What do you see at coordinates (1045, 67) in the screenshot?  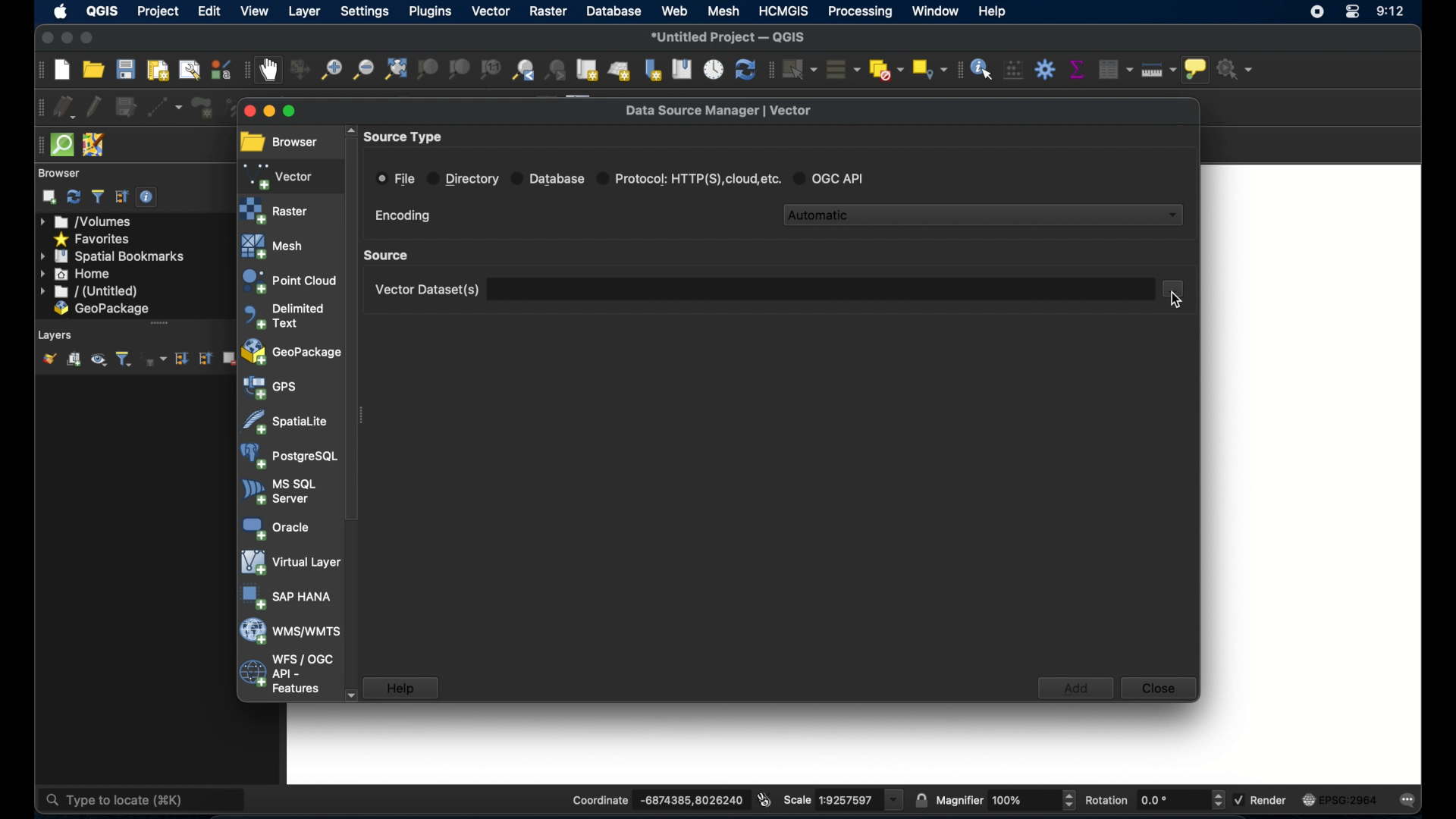 I see `toolbox` at bounding box center [1045, 67].